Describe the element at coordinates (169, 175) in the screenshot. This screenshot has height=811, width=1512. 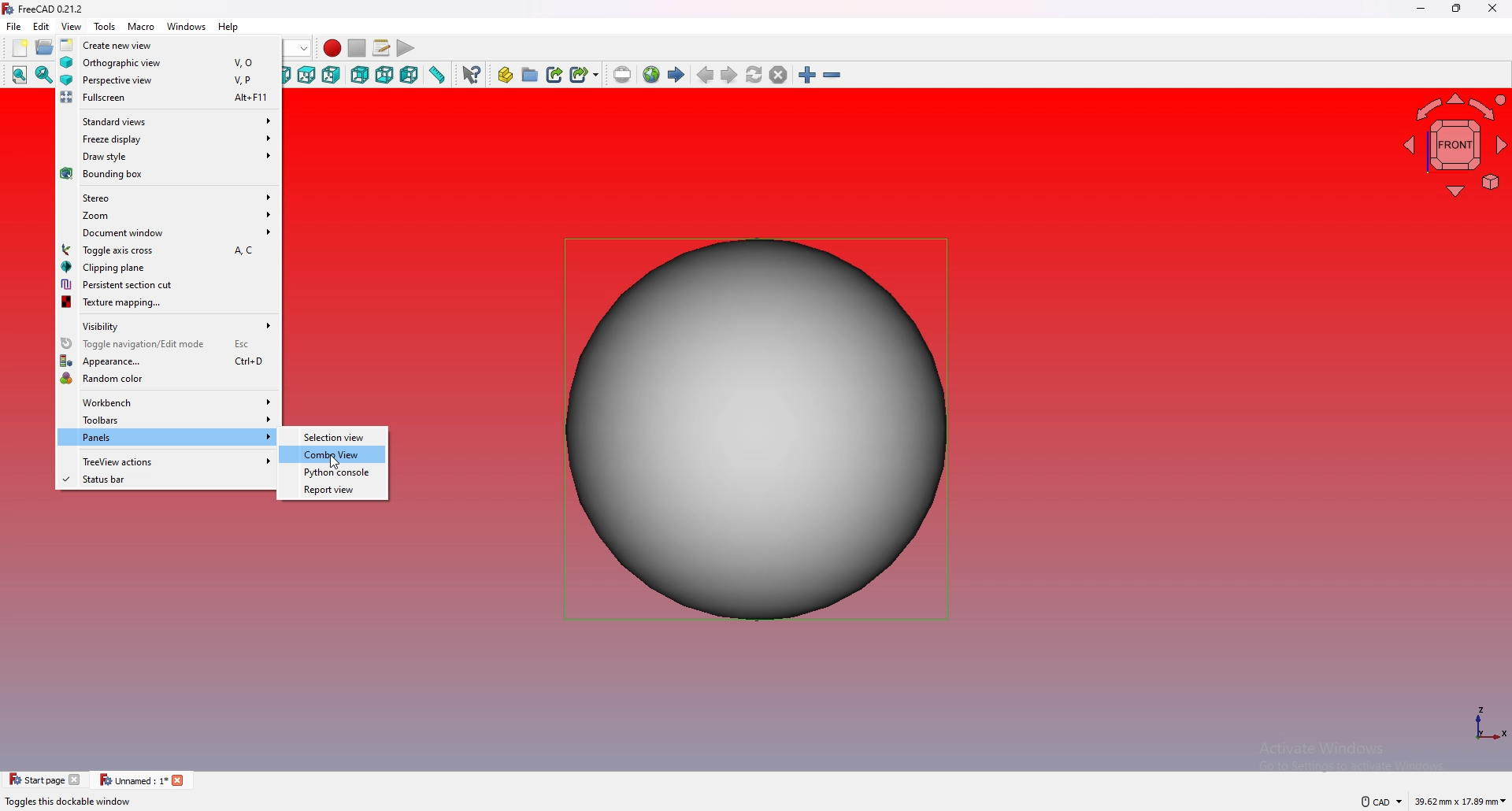
I see `bounding box` at that location.